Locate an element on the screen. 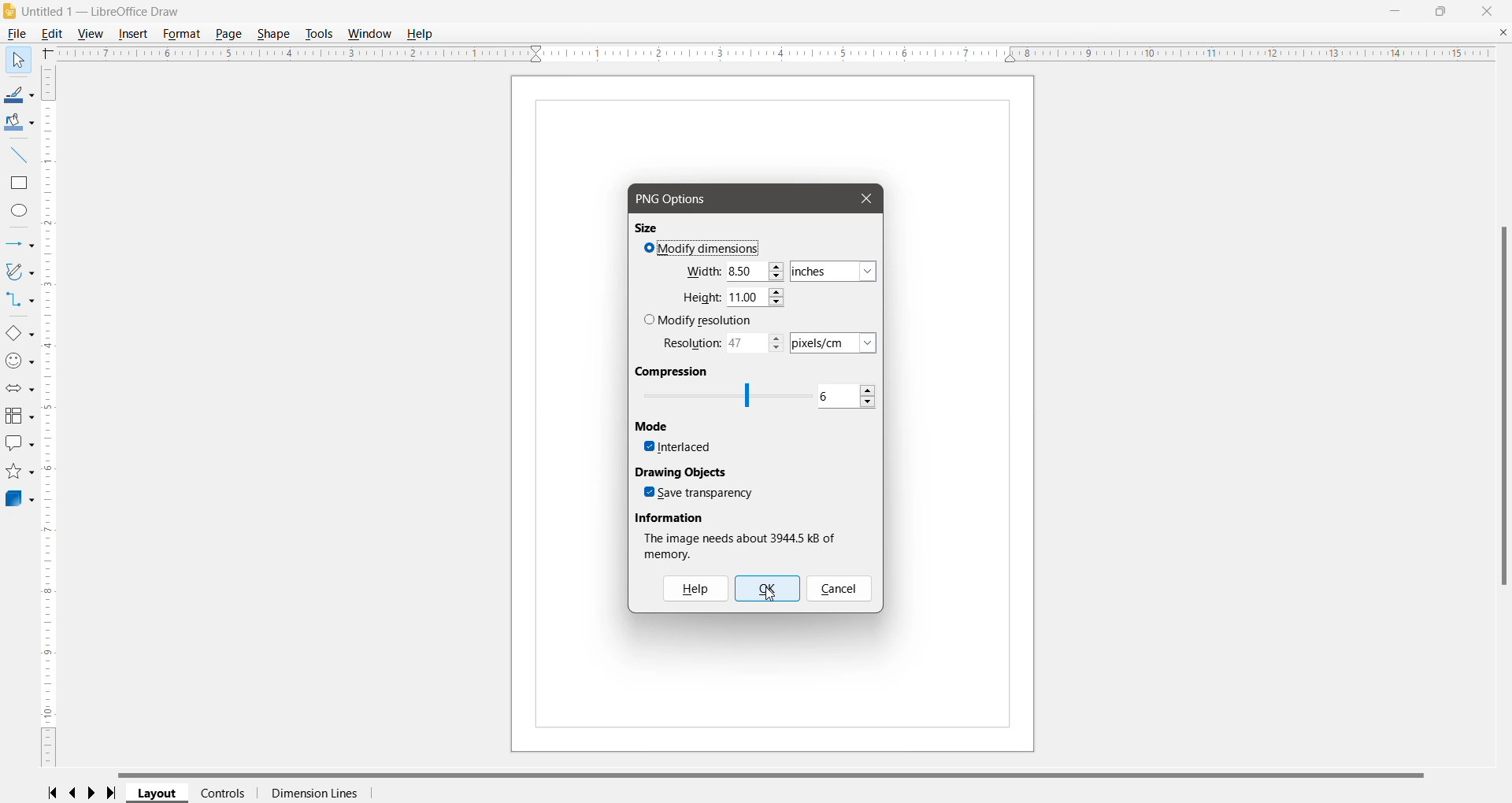 The width and height of the screenshot is (1512, 803). Curves and Polygons is located at coordinates (19, 272).